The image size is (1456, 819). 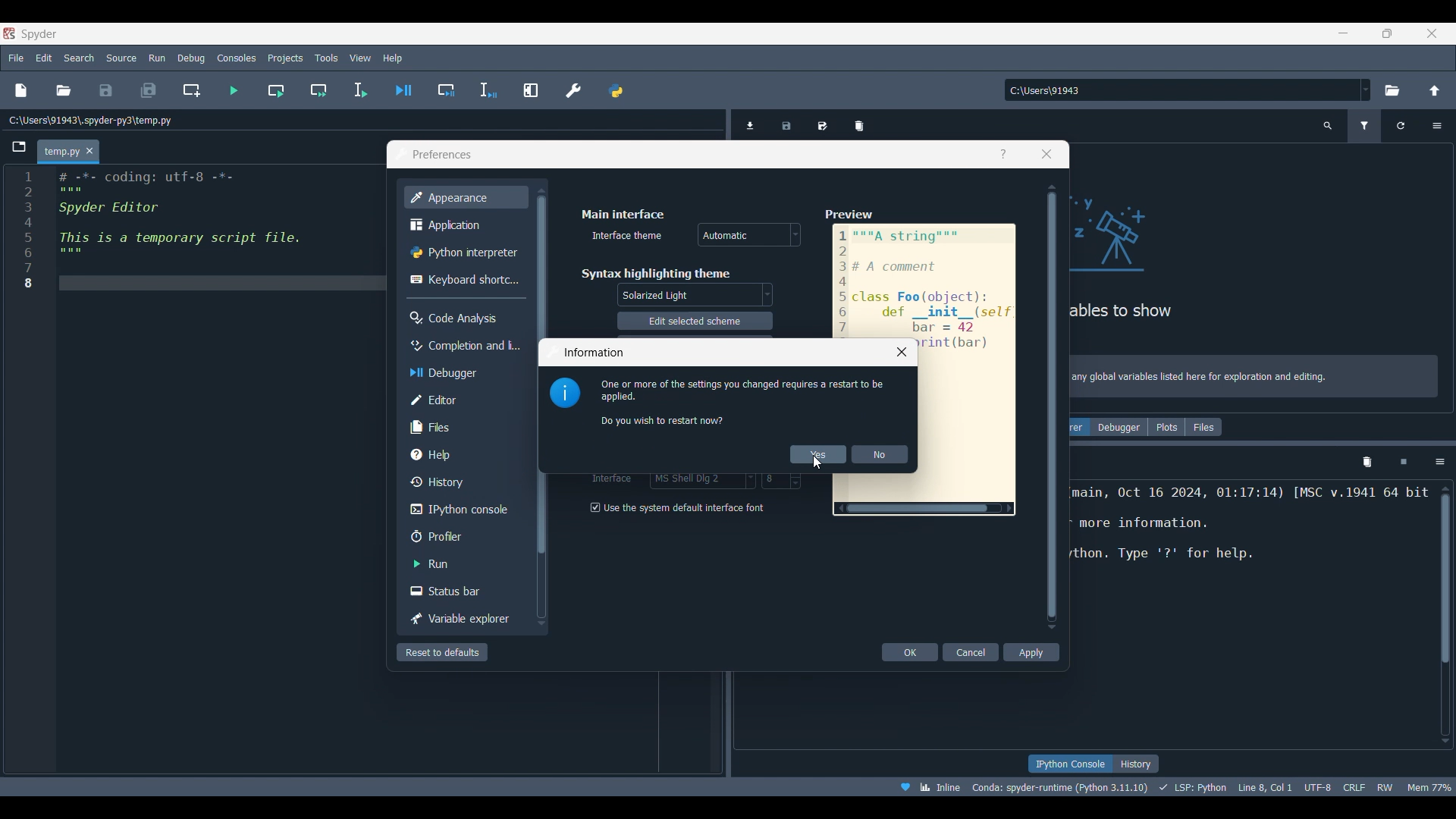 What do you see at coordinates (149, 90) in the screenshot?
I see `Save all files` at bounding box center [149, 90].